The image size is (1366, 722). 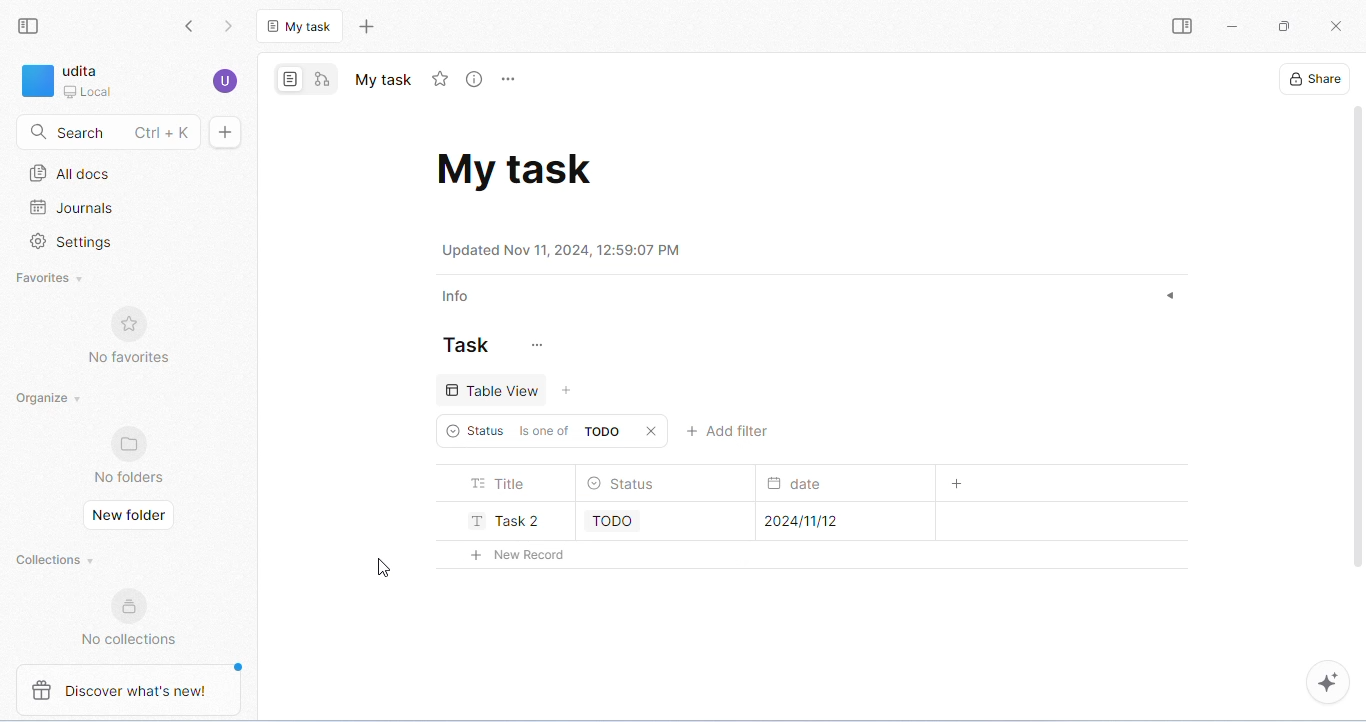 What do you see at coordinates (543, 430) in the screenshot?
I see `is one of` at bounding box center [543, 430].